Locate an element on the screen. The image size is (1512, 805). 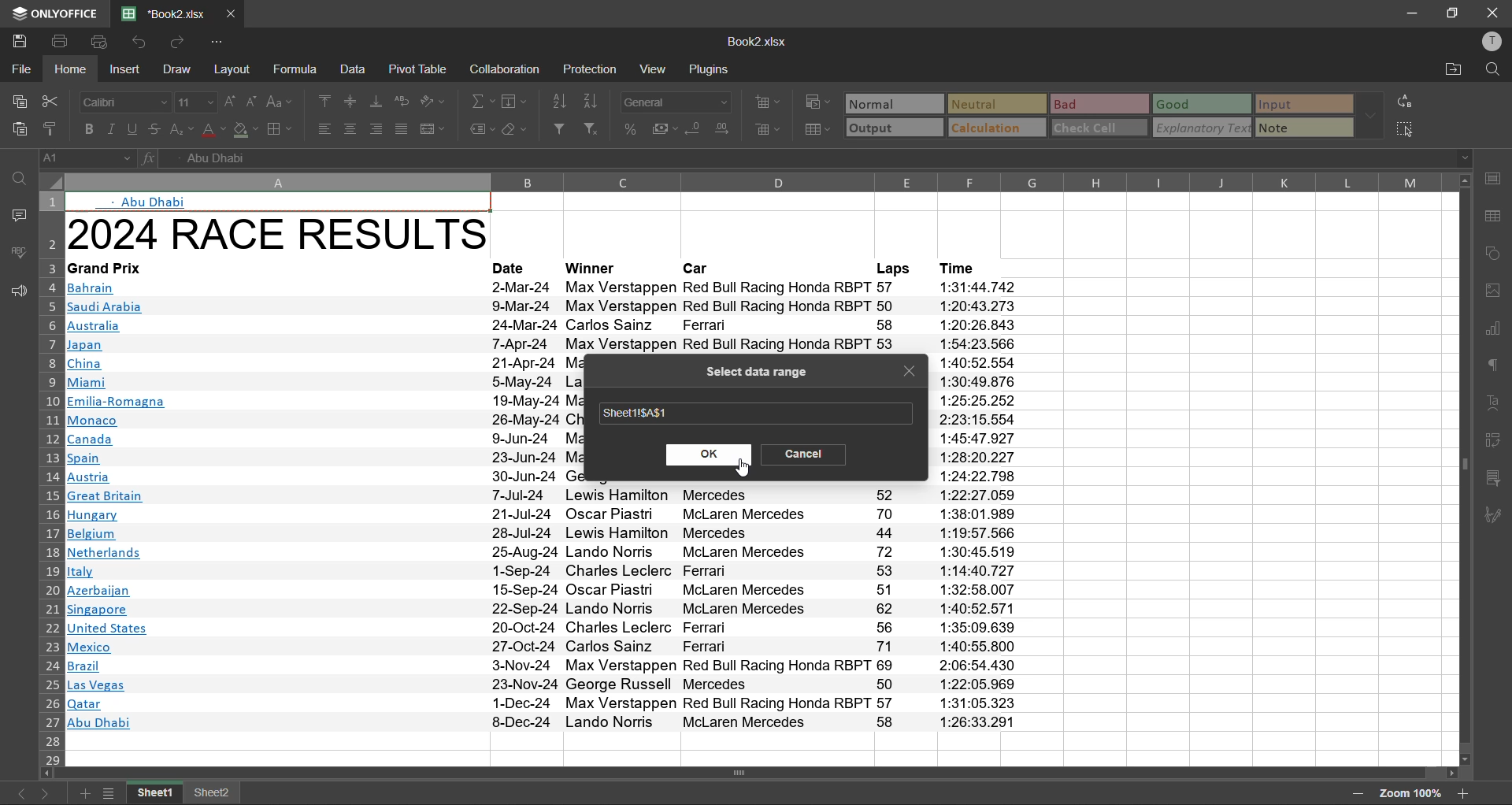
cell address is located at coordinates (86, 158).